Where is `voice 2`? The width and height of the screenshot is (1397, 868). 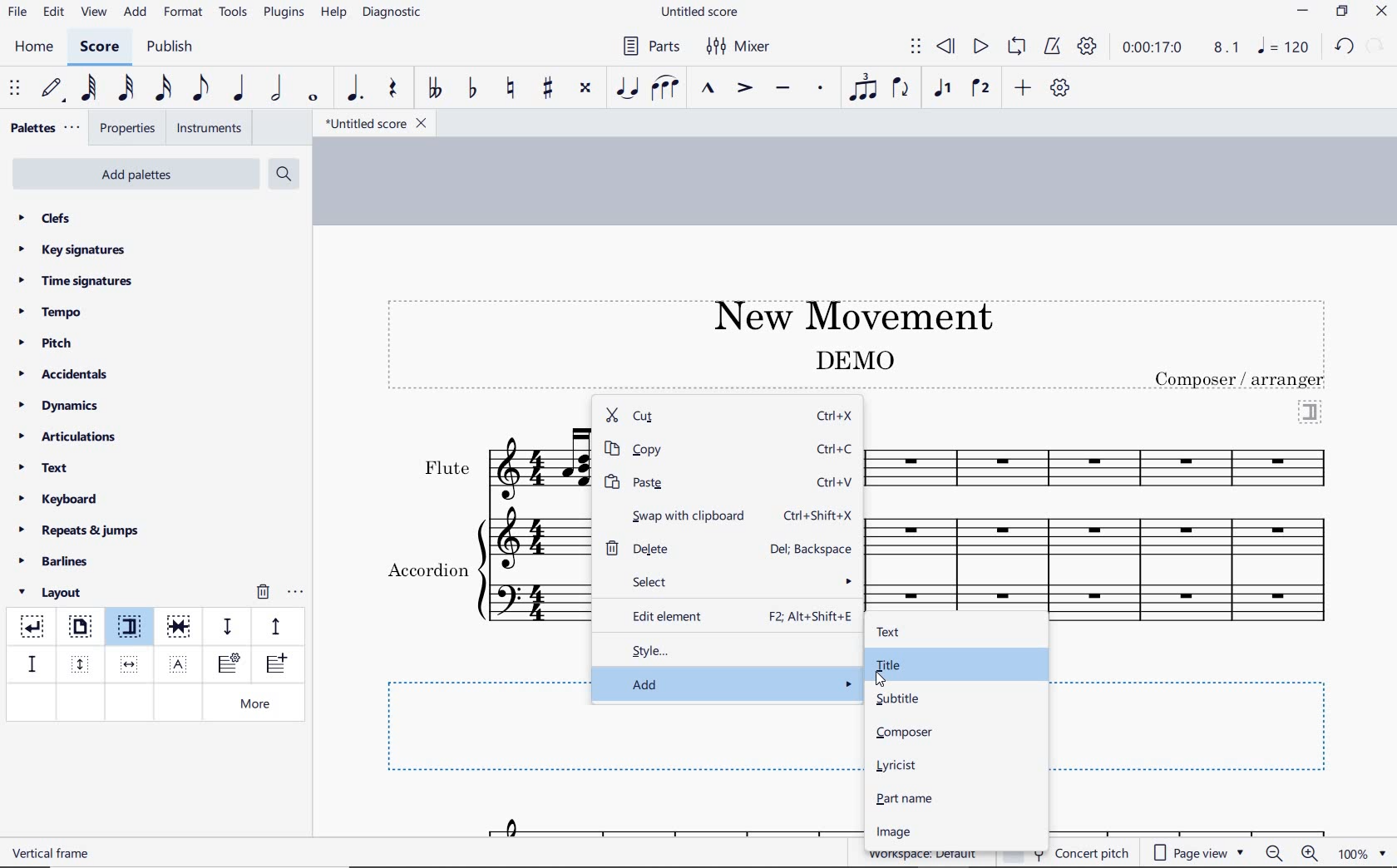
voice 2 is located at coordinates (981, 89).